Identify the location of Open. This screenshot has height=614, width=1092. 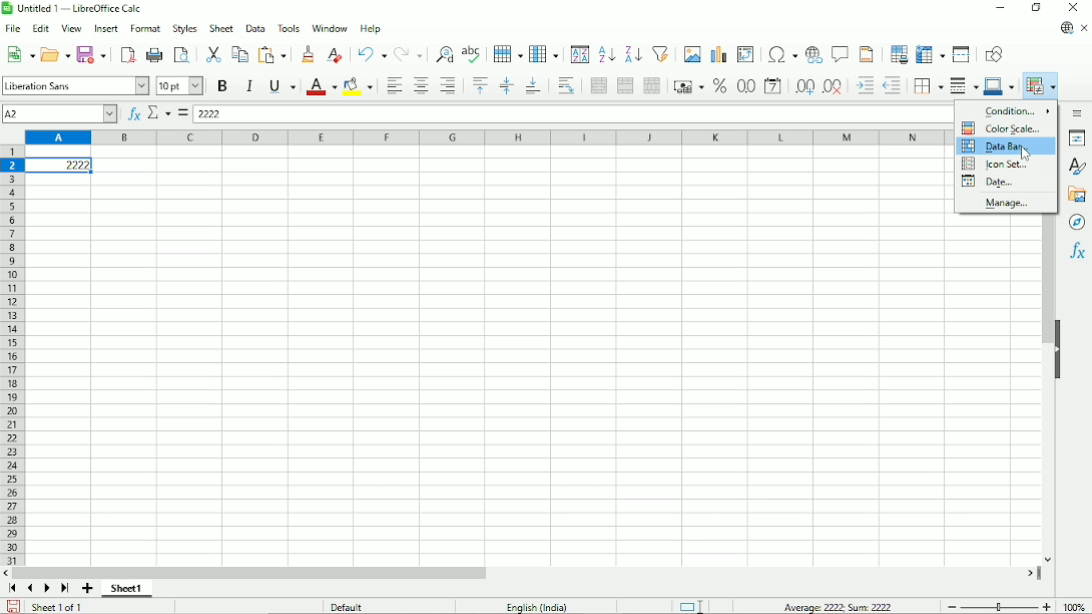
(56, 54).